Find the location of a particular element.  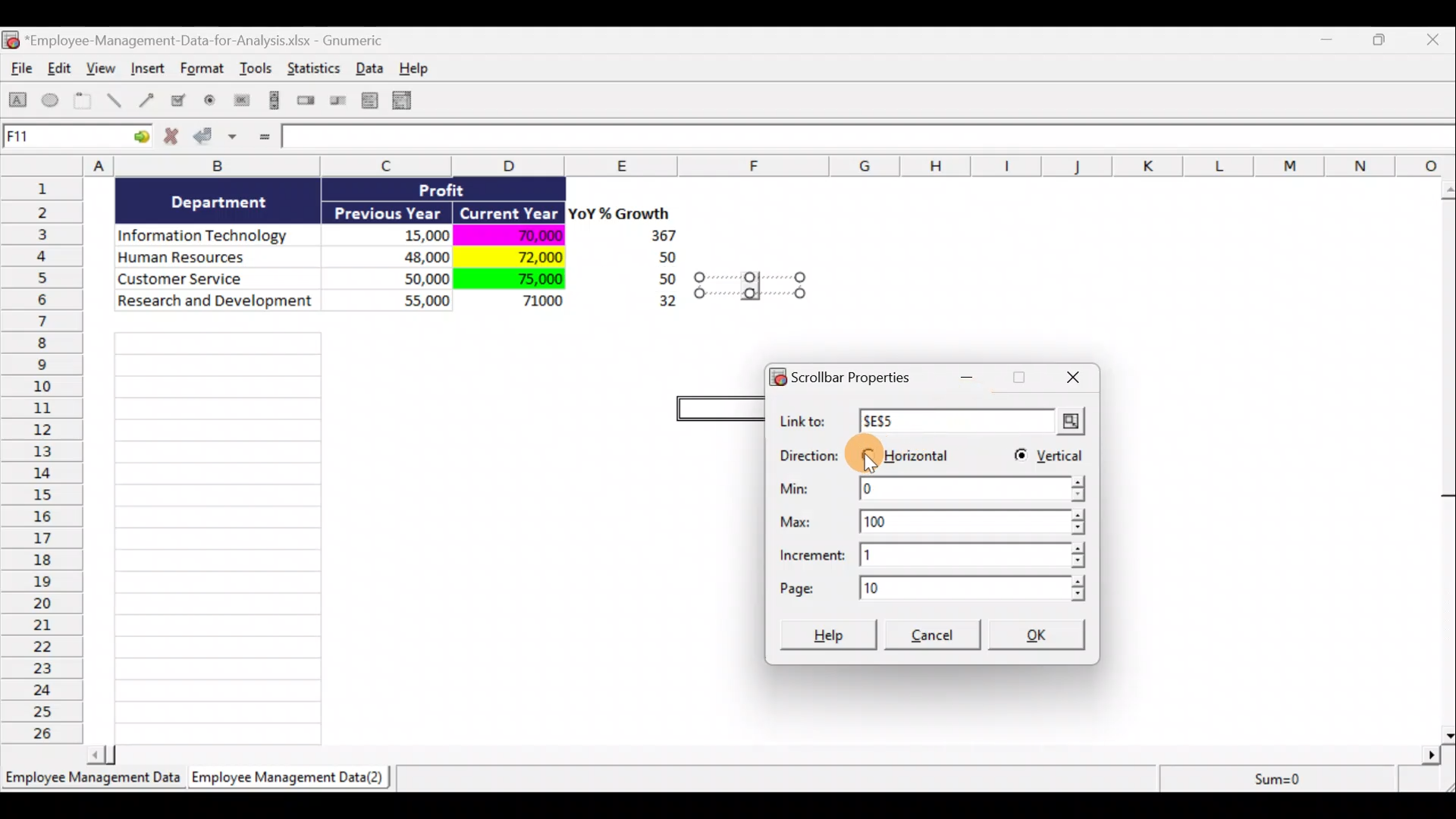

Create a scrollbar is located at coordinates (272, 103).